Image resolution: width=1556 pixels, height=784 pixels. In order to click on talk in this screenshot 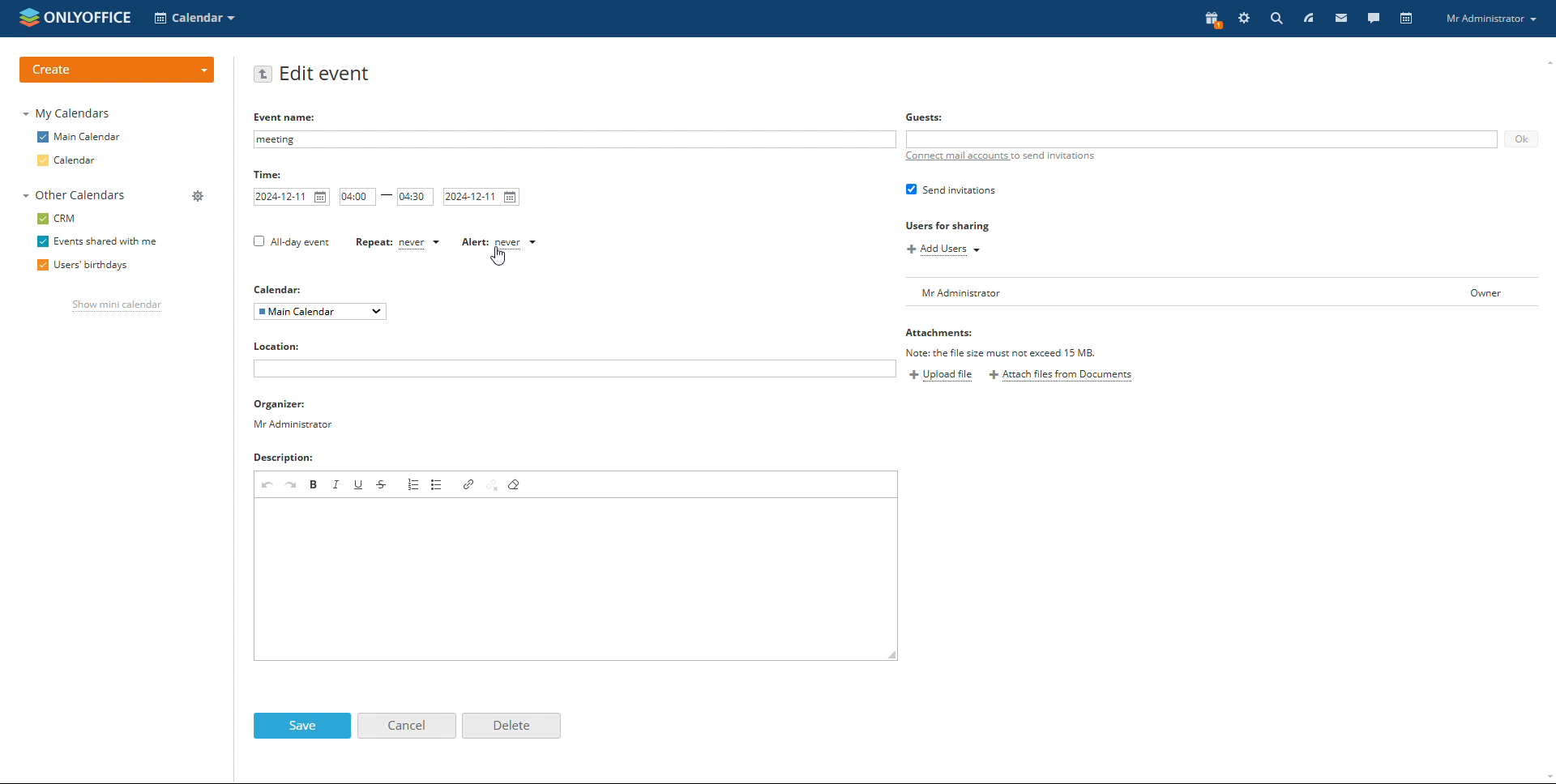, I will do `click(1372, 19)`.